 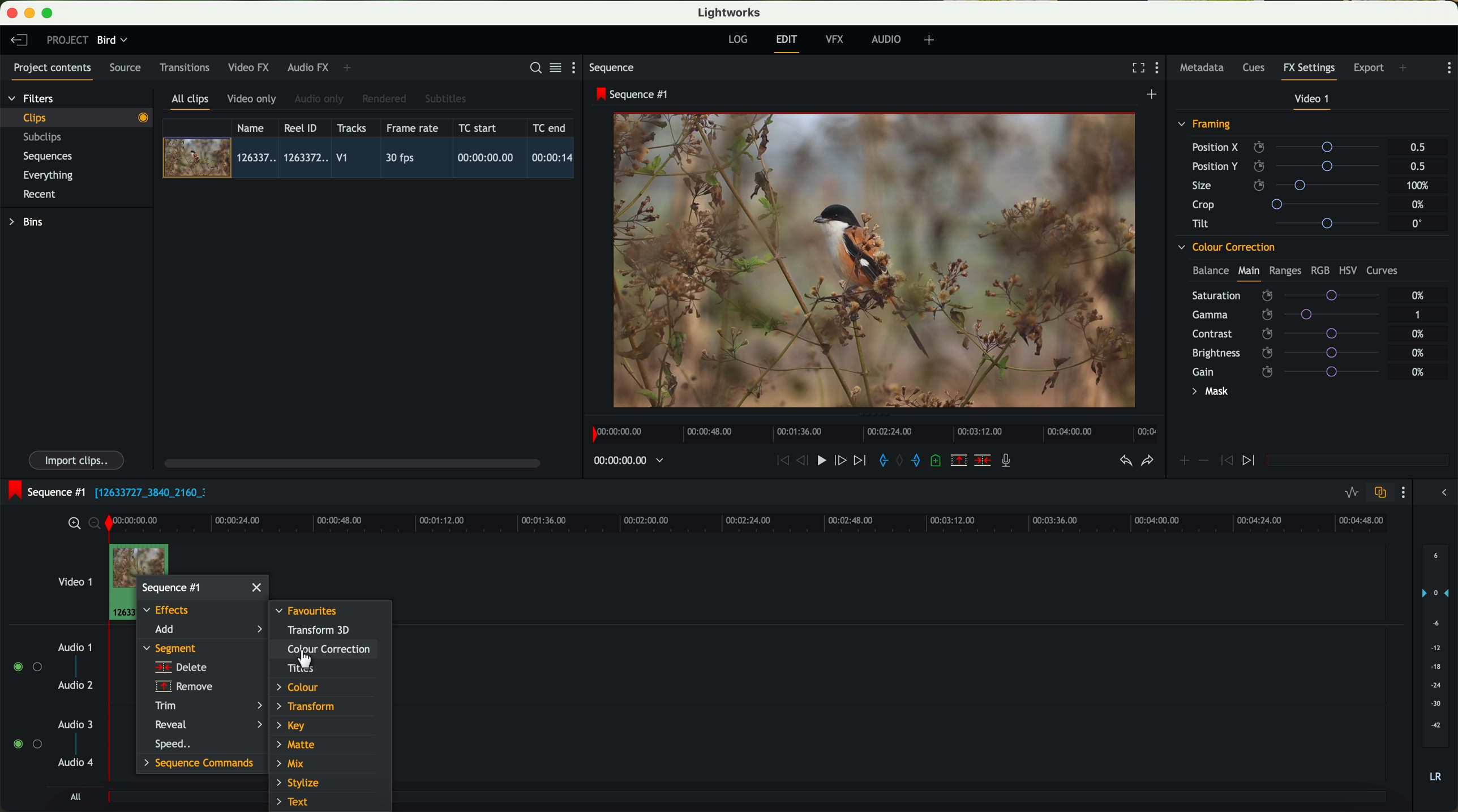 I want to click on audio FX, so click(x=308, y=67).